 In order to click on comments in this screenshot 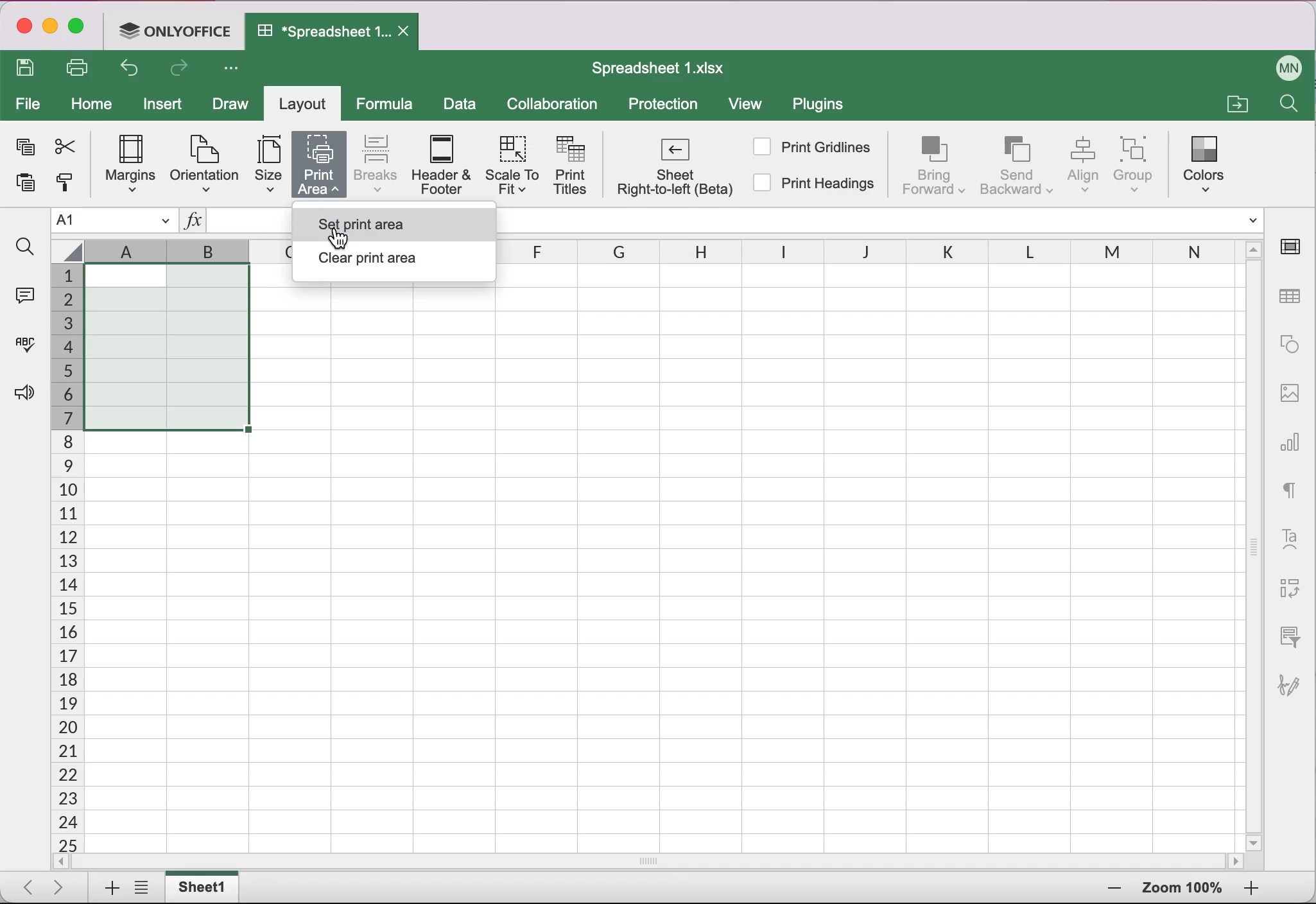, I will do `click(23, 293)`.